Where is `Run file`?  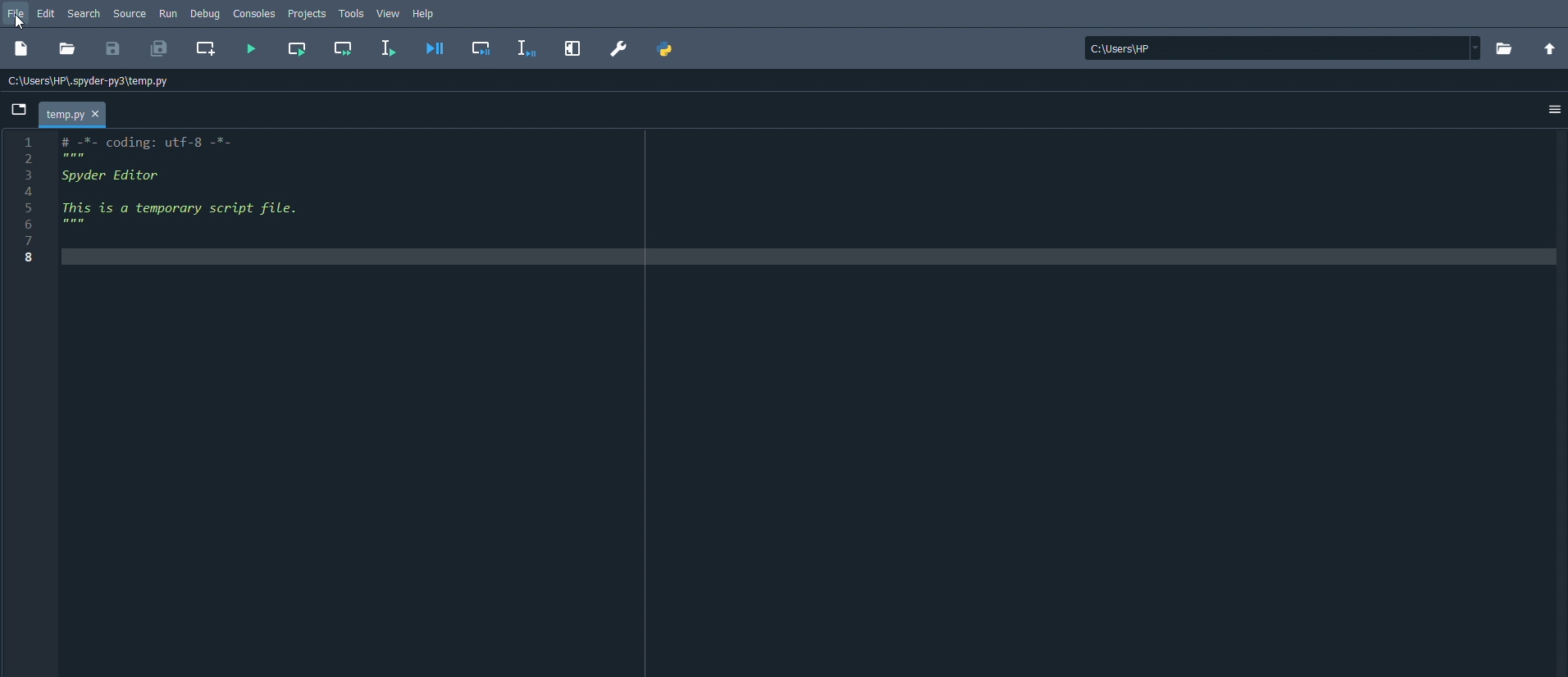 Run file is located at coordinates (250, 50).